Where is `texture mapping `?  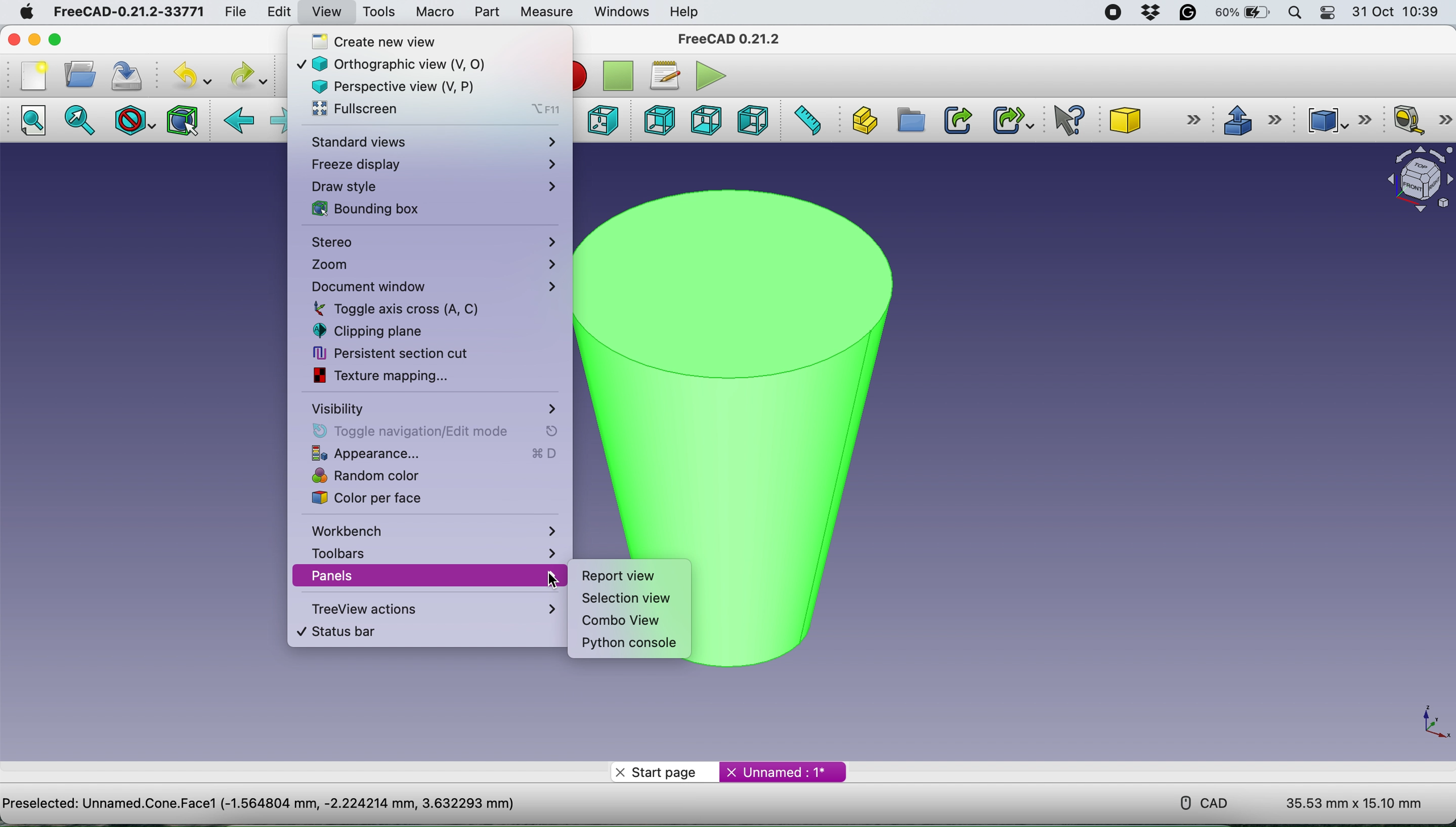
texture mapping  is located at coordinates (400, 375).